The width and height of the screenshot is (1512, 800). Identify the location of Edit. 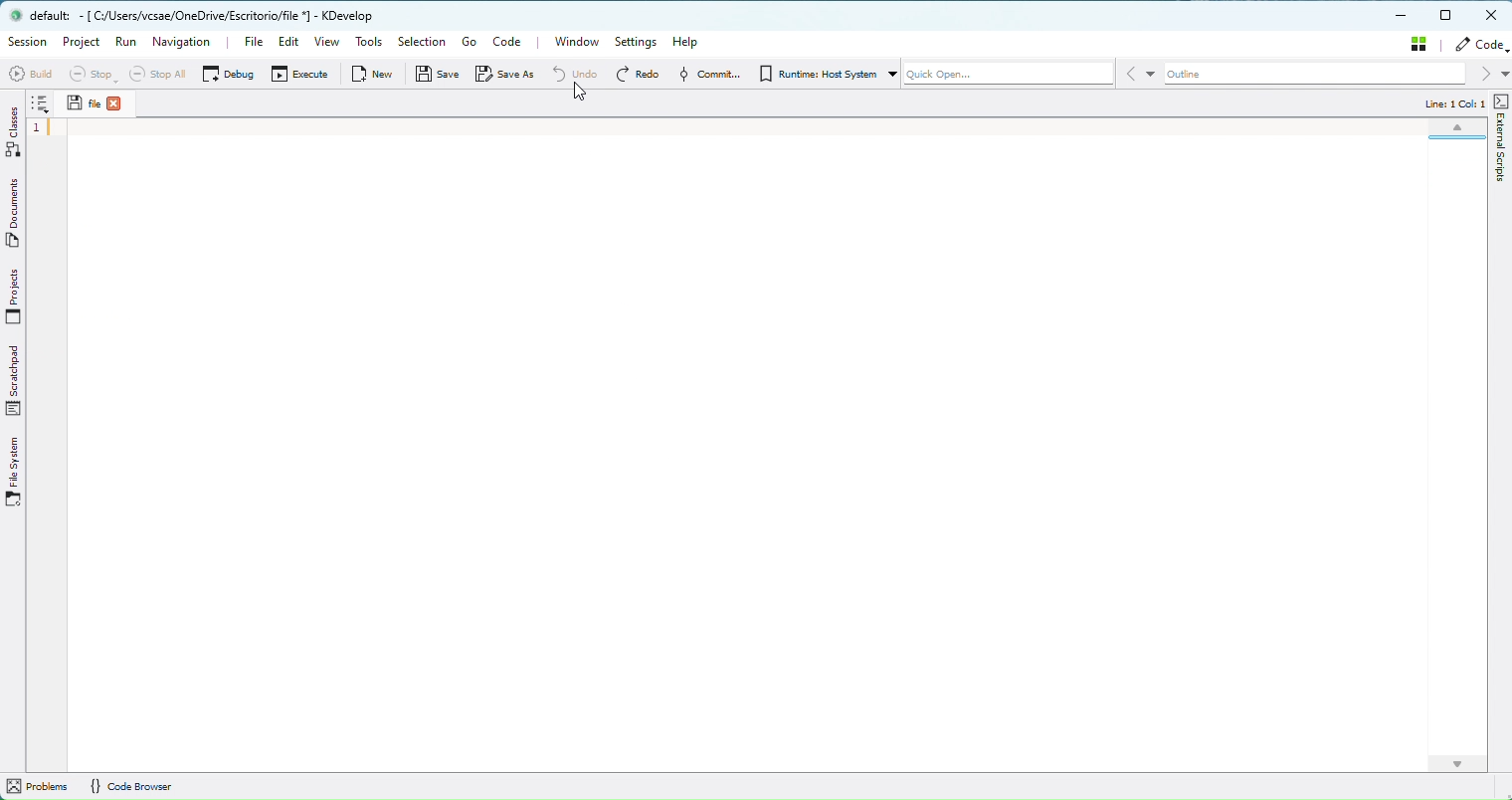
(286, 44).